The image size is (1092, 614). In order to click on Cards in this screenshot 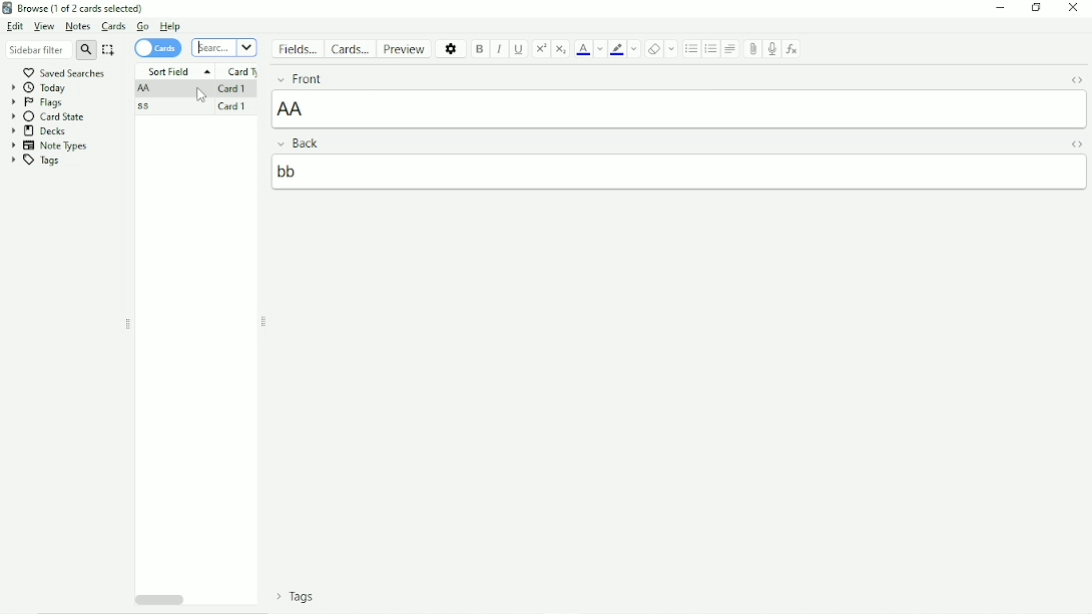, I will do `click(158, 48)`.